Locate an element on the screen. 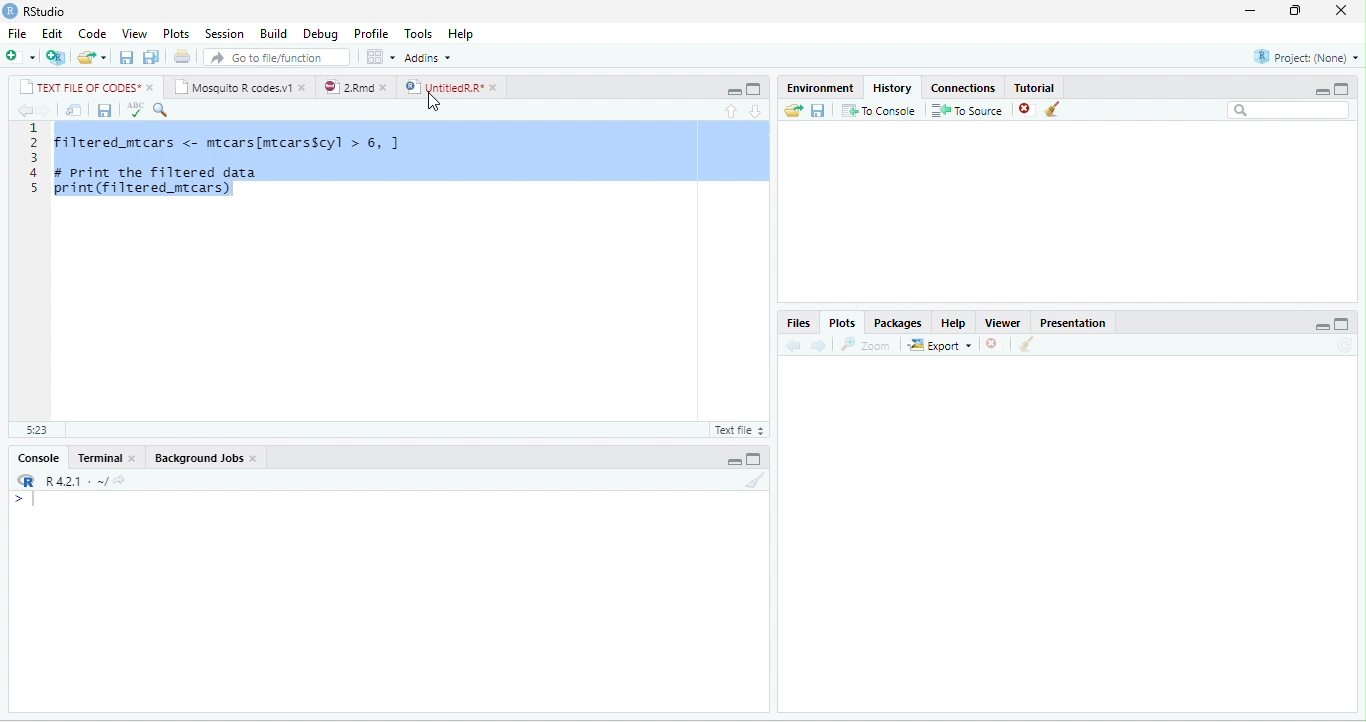 The image size is (1366, 722). minimize is located at coordinates (1250, 11).